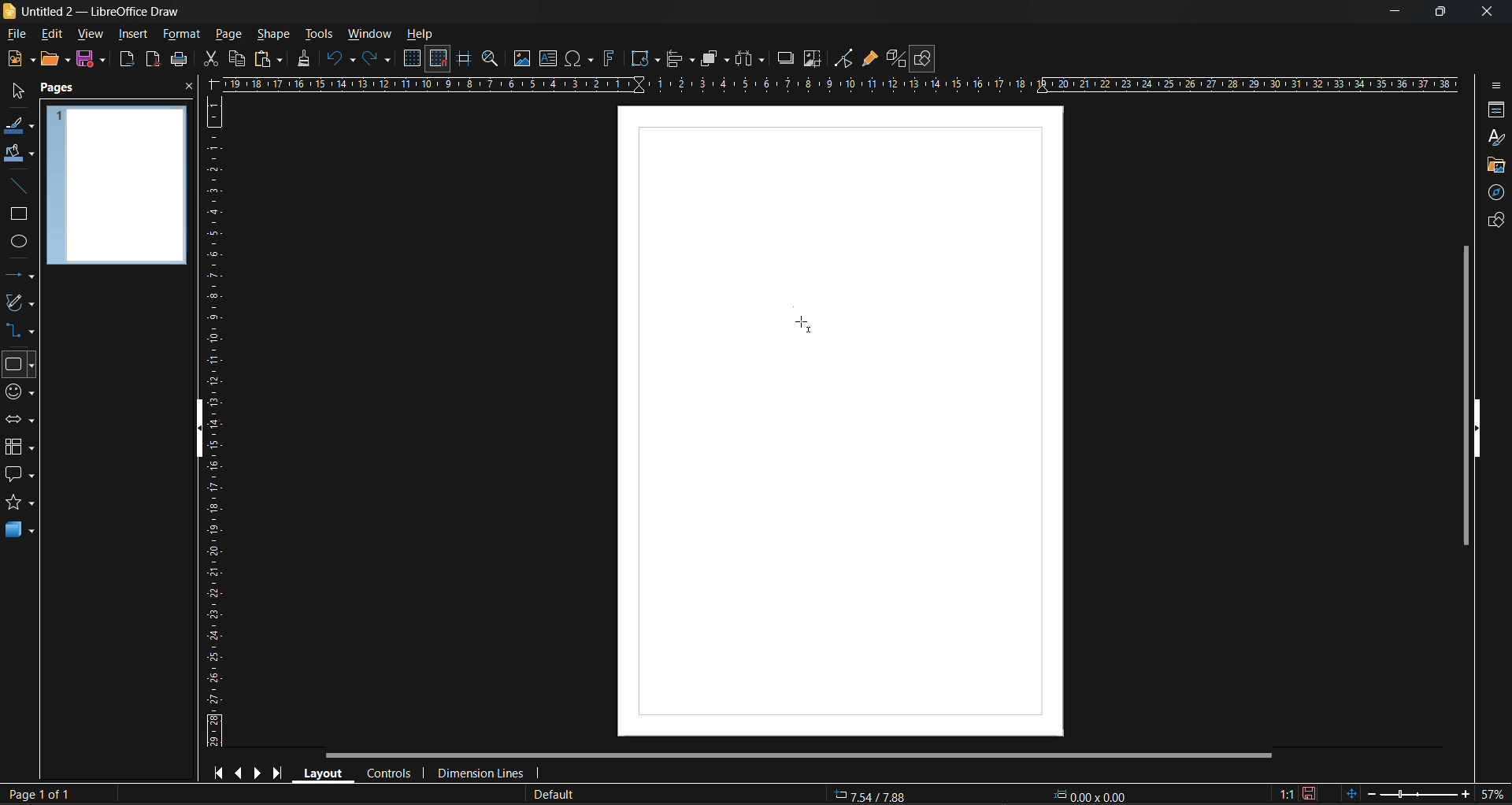  I want to click on gallery, so click(1495, 168).